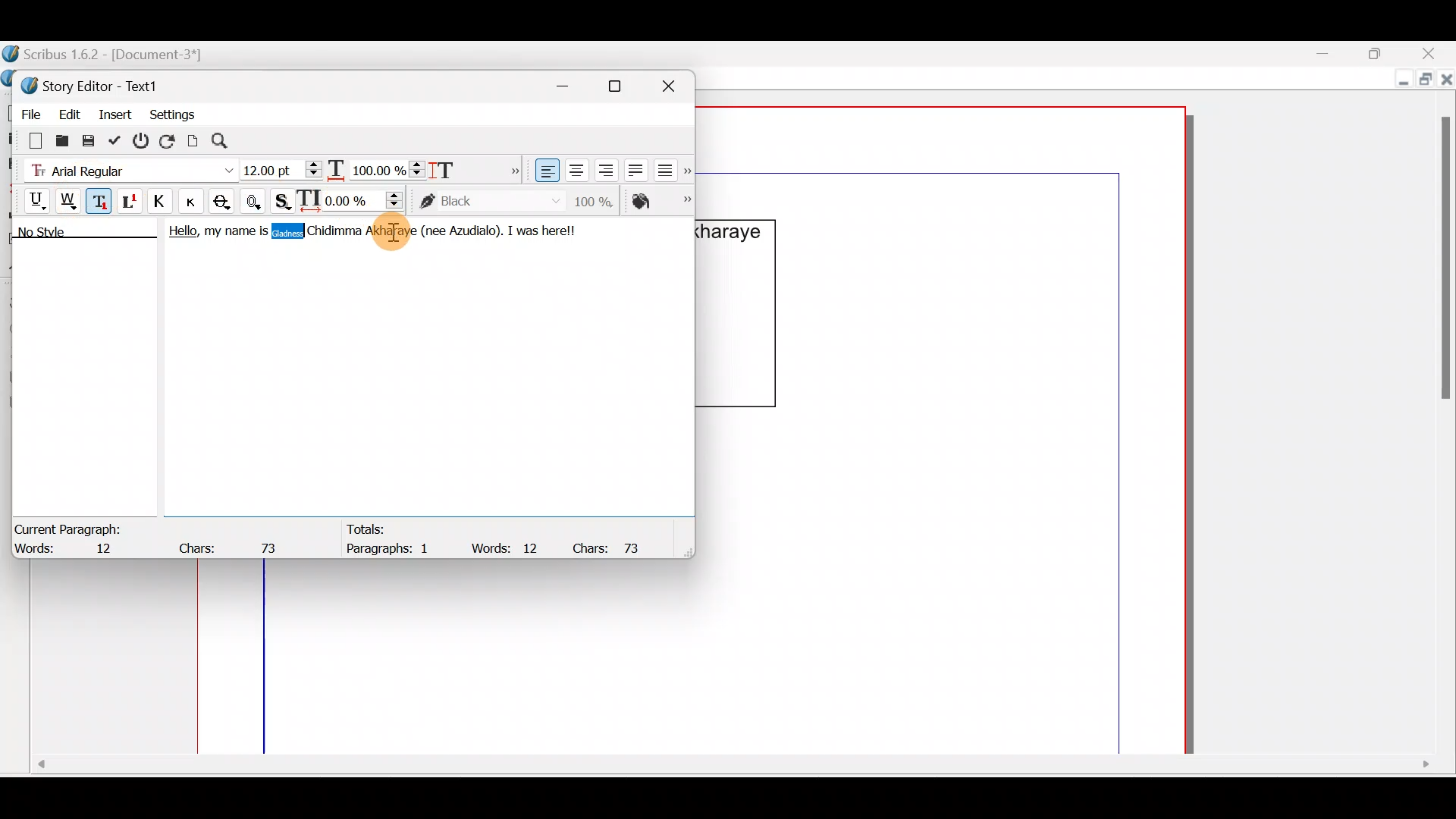 The image size is (1456, 819). Describe the element at coordinates (95, 84) in the screenshot. I see `Story Editor - Text1` at that location.